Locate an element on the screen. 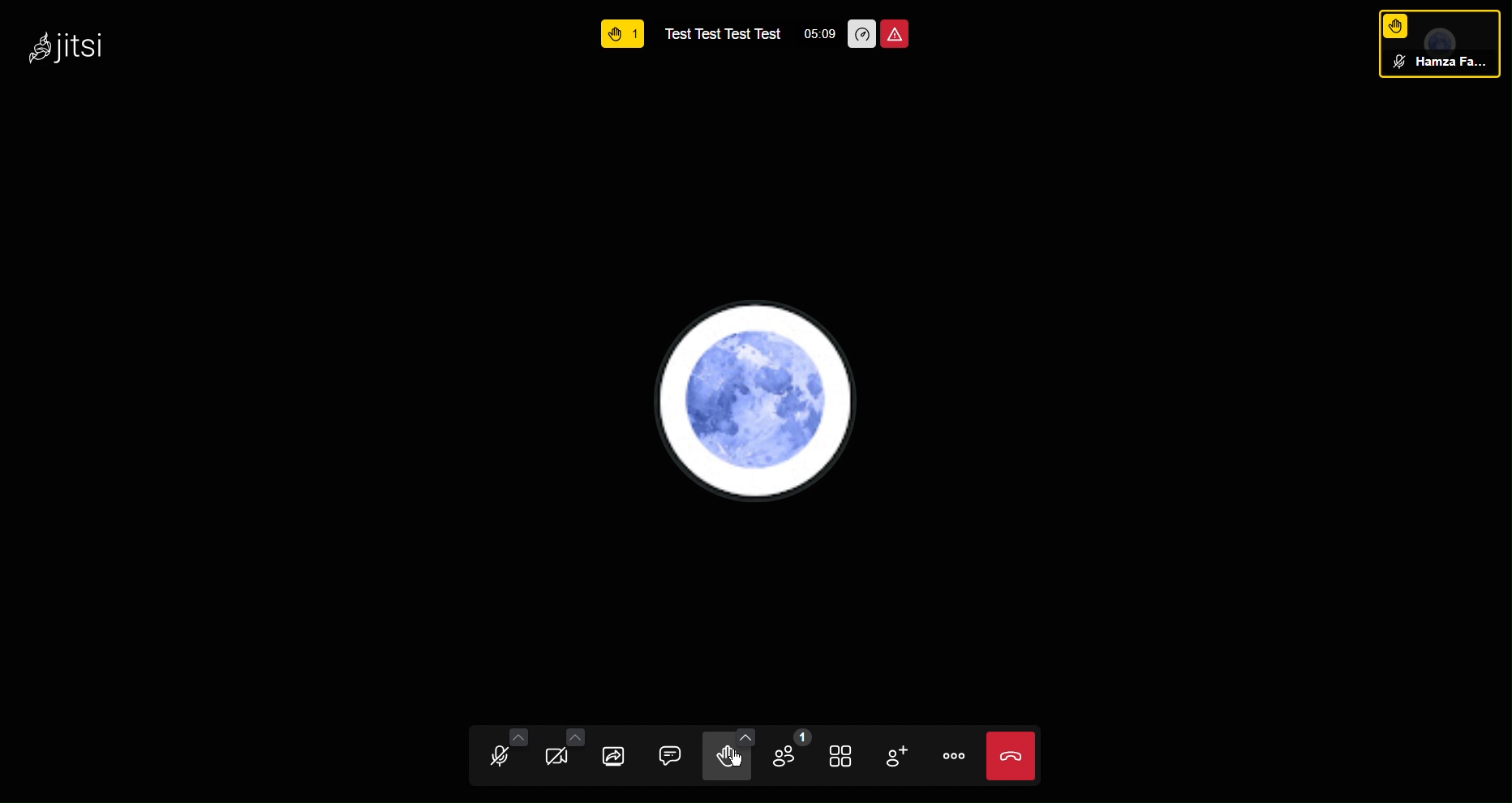 This screenshot has width=1512, height=803. Test Test Test Test is located at coordinates (723, 32).